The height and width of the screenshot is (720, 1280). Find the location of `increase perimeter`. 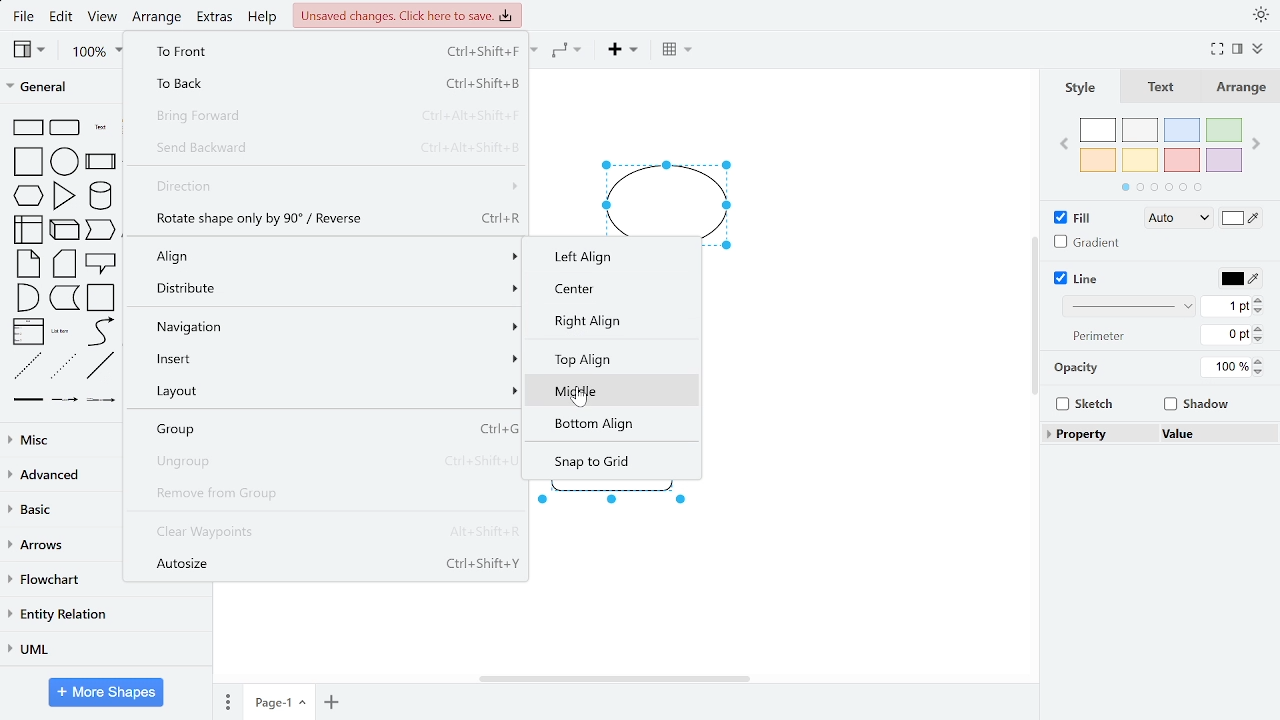

increase perimeter is located at coordinates (1262, 326).